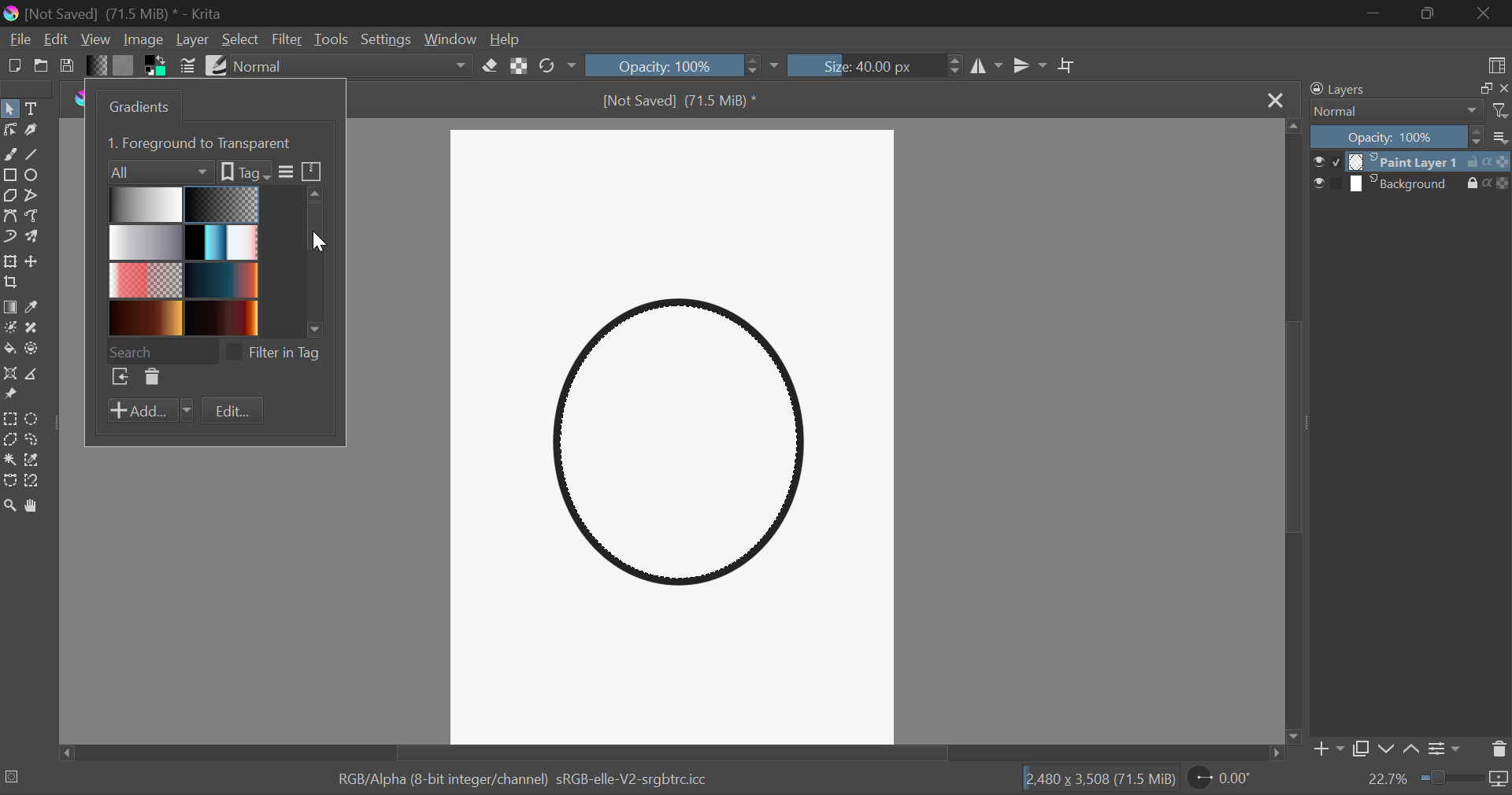 The height and width of the screenshot is (795, 1512). What do you see at coordinates (35, 109) in the screenshot?
I see `Text` at bounding box center [35, 109].